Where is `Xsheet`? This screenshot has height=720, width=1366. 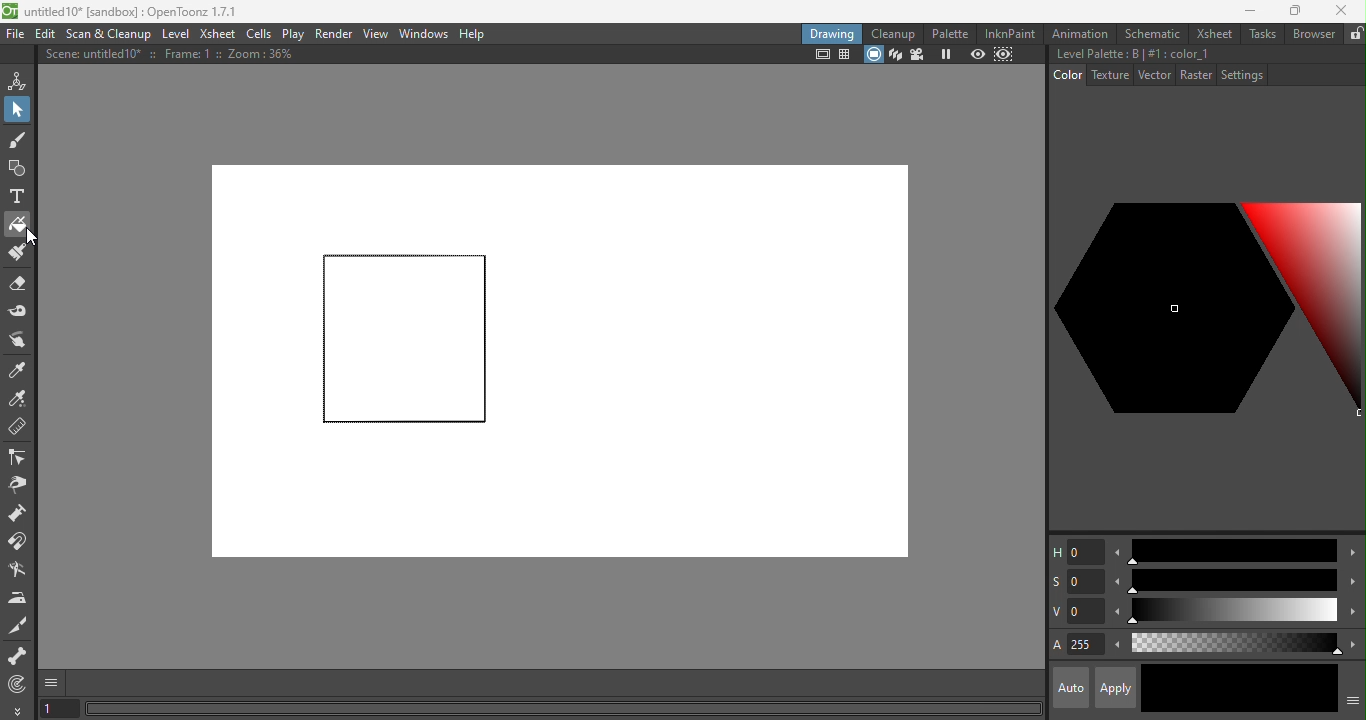 Xsheet is located at coordinates (217, 33).